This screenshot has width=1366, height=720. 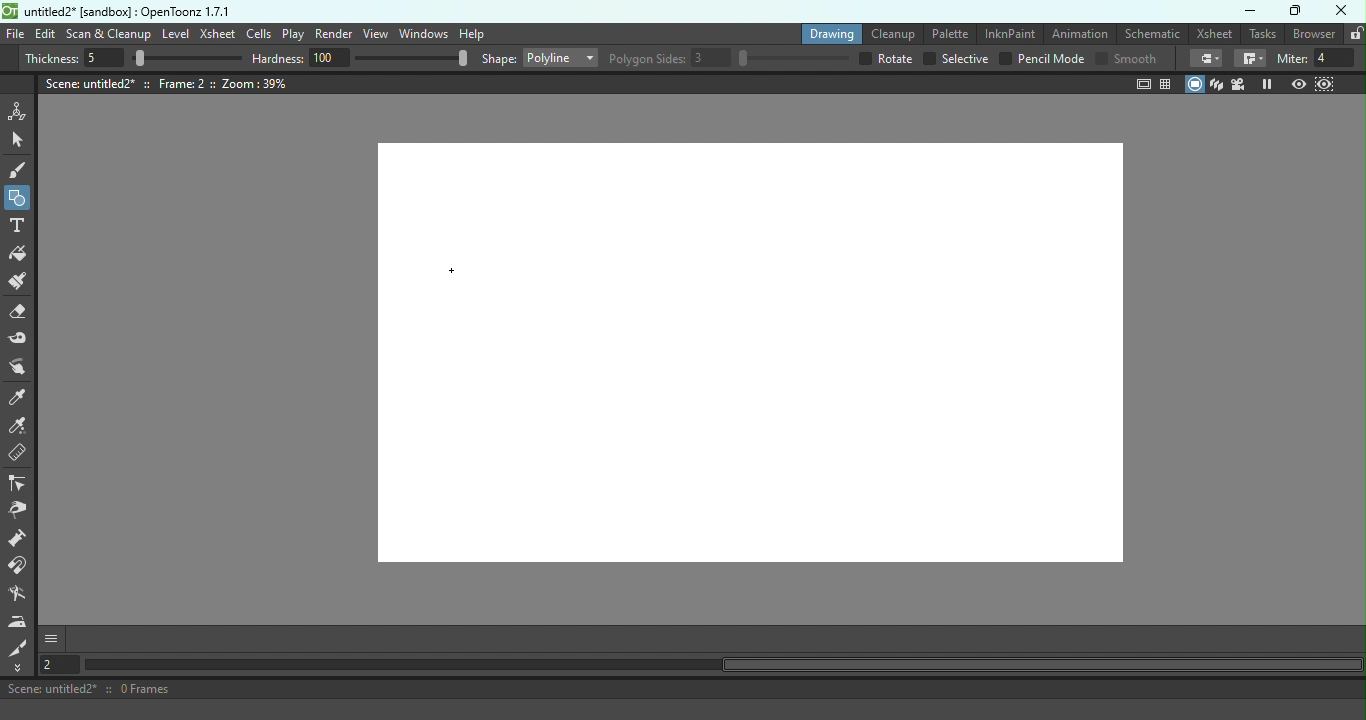 What do you see at coordinates (23, 367) in the screenshot?
I see `Pinch tool` at bounding box center [23, 367].